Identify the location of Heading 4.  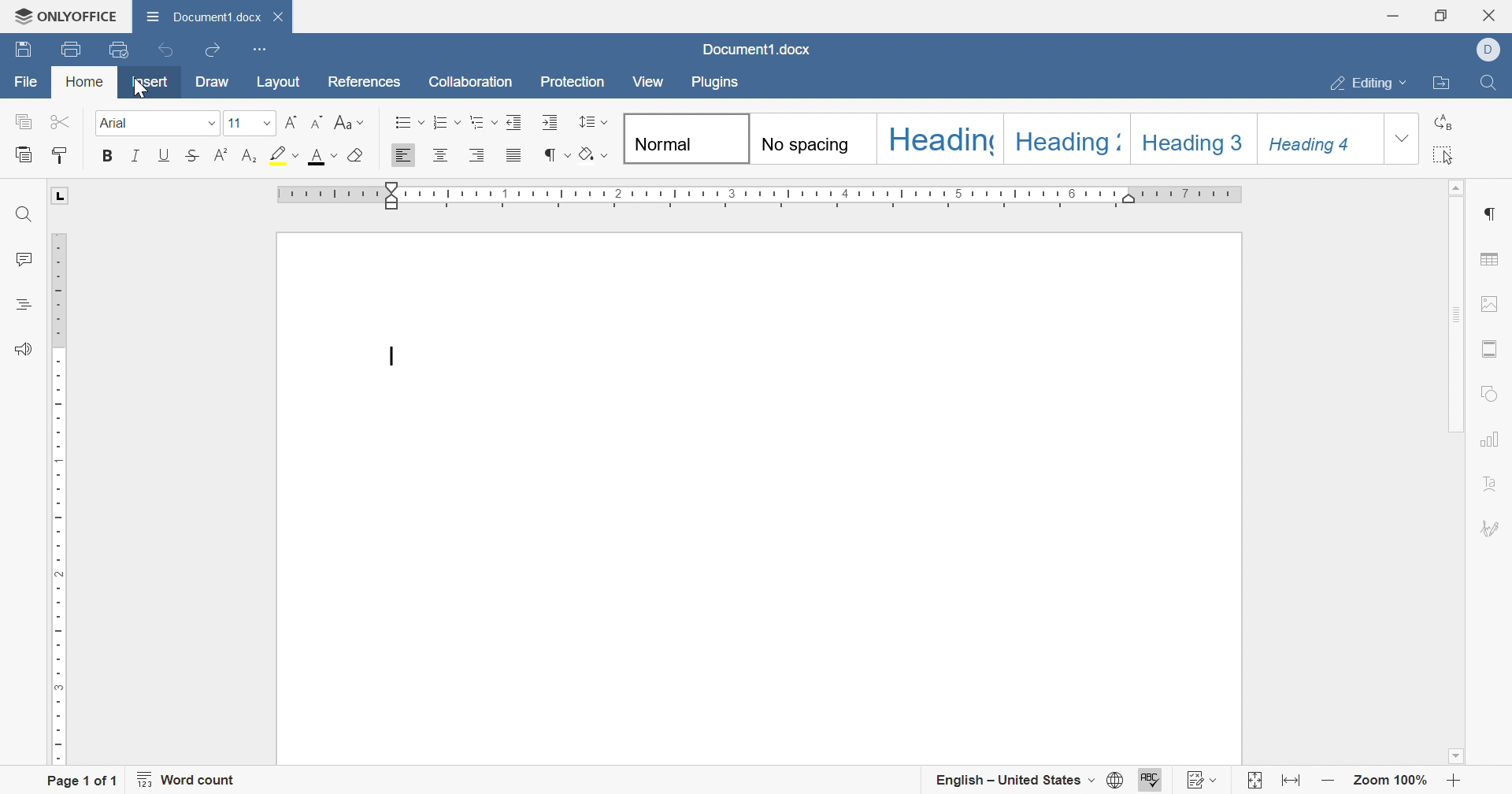
(1314, 147).